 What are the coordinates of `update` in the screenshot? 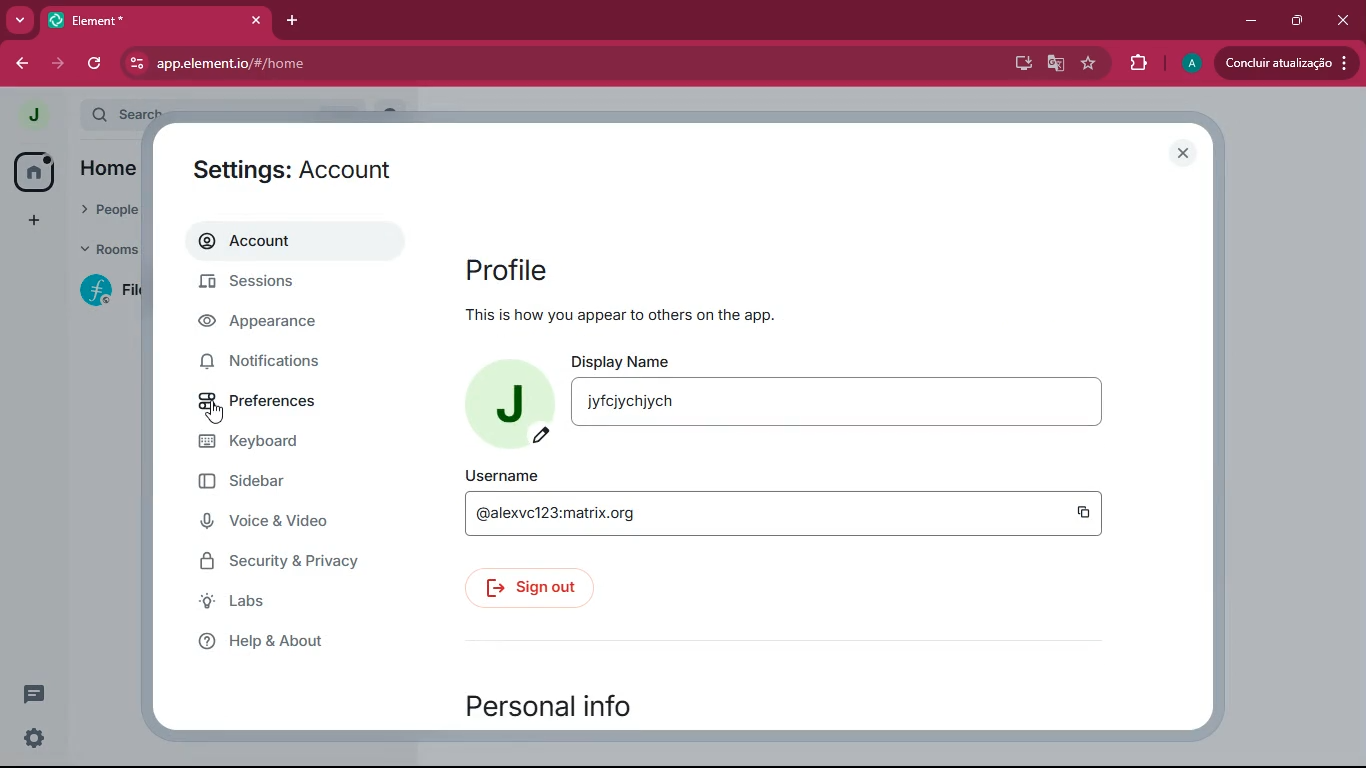 It's located at (1287, 63).